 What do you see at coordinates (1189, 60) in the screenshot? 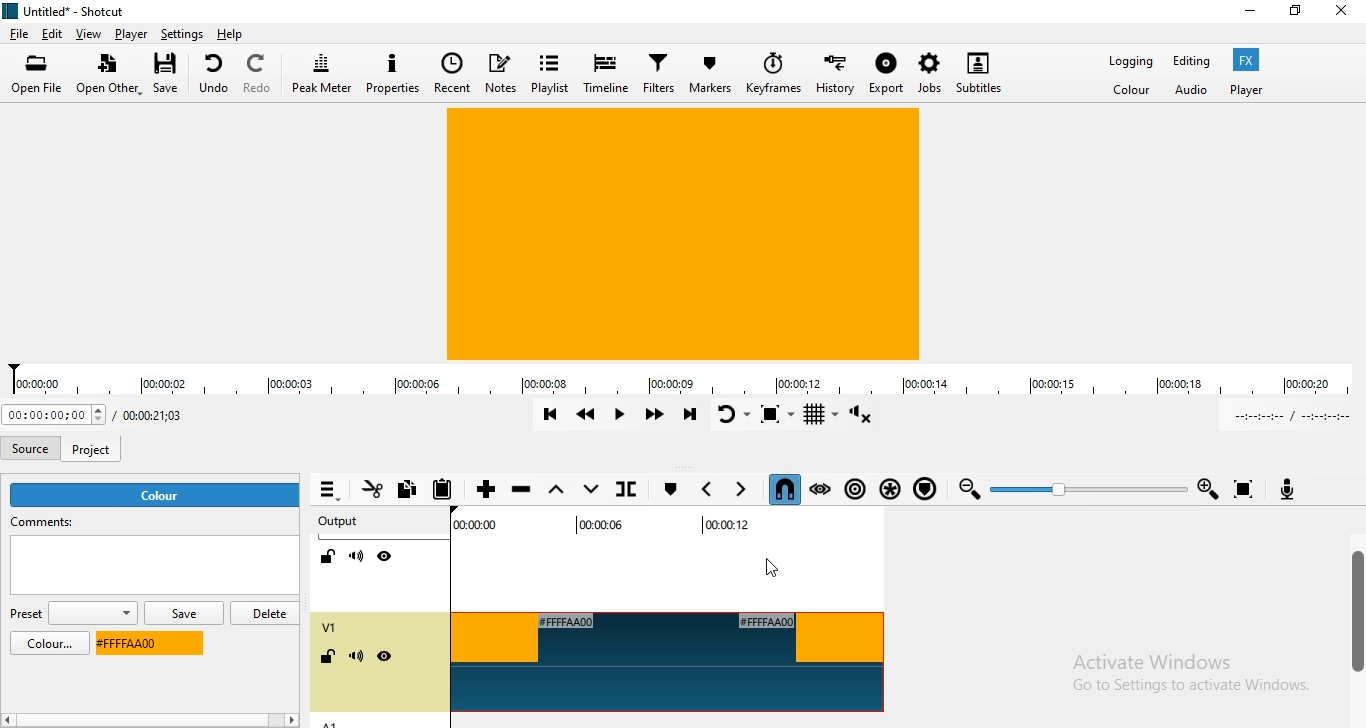
I see `Editing` at bounding box center [1189, 60].